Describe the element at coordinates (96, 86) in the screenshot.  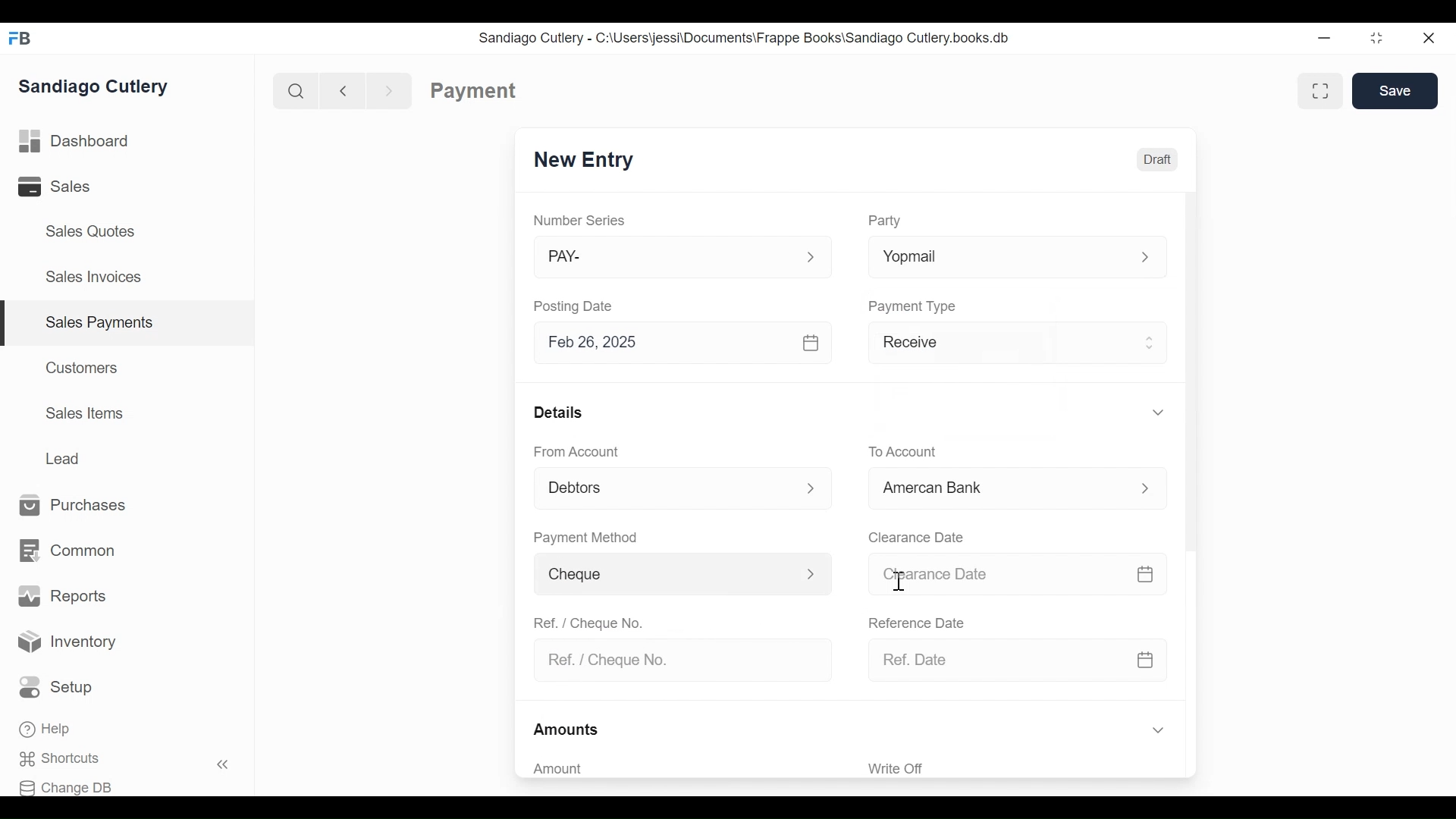
I see `Sandiago Cutlery` at that location.